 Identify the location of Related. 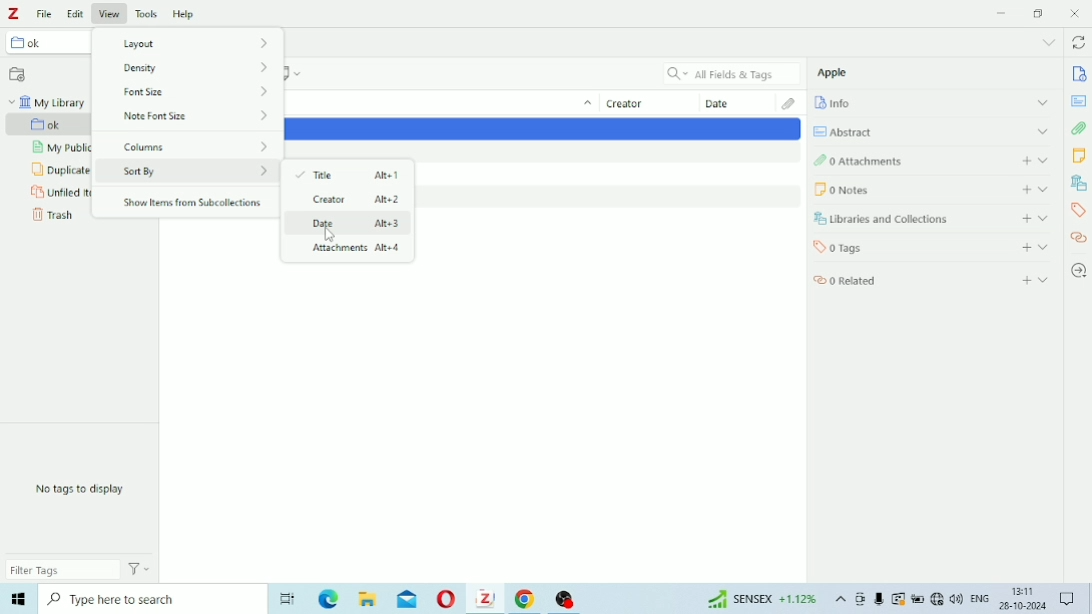
(1079, 241).